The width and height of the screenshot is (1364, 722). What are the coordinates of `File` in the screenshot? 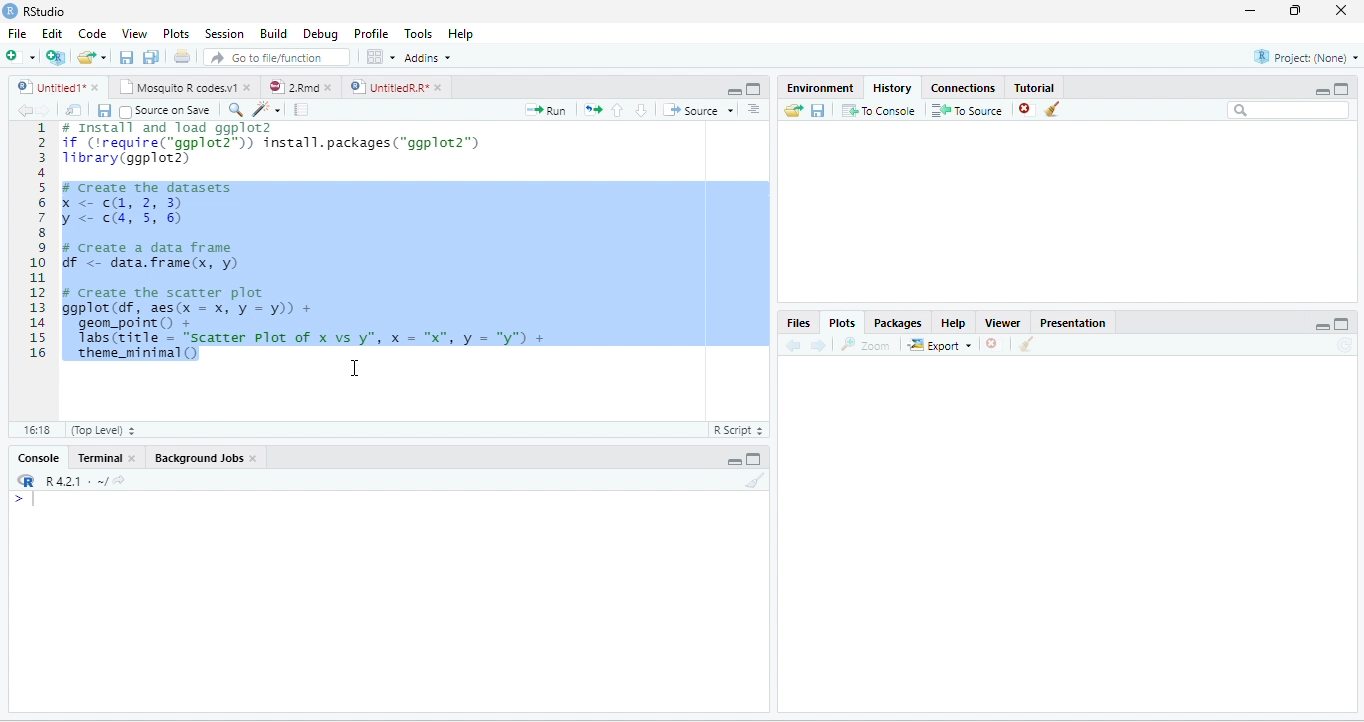 It's located at (18, 33).